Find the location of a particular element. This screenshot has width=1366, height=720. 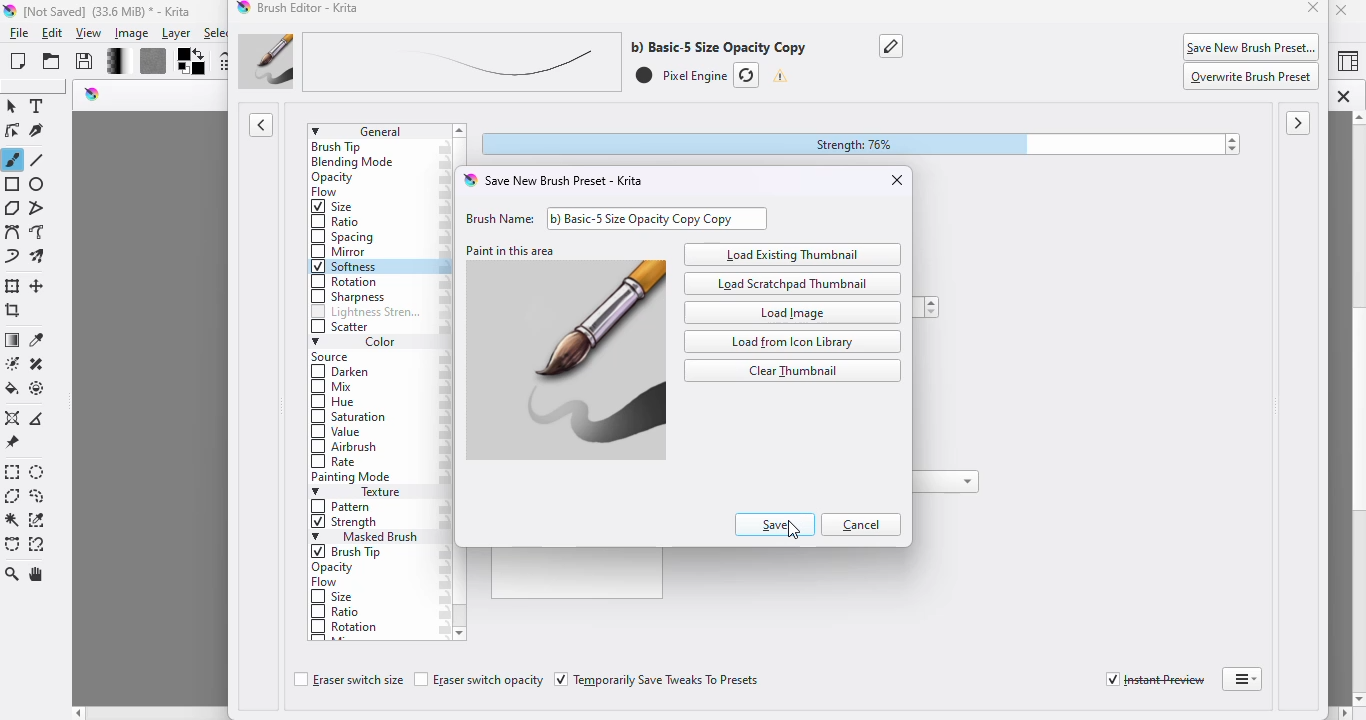

eraser switch opacity is located at coordinates (479, 680).